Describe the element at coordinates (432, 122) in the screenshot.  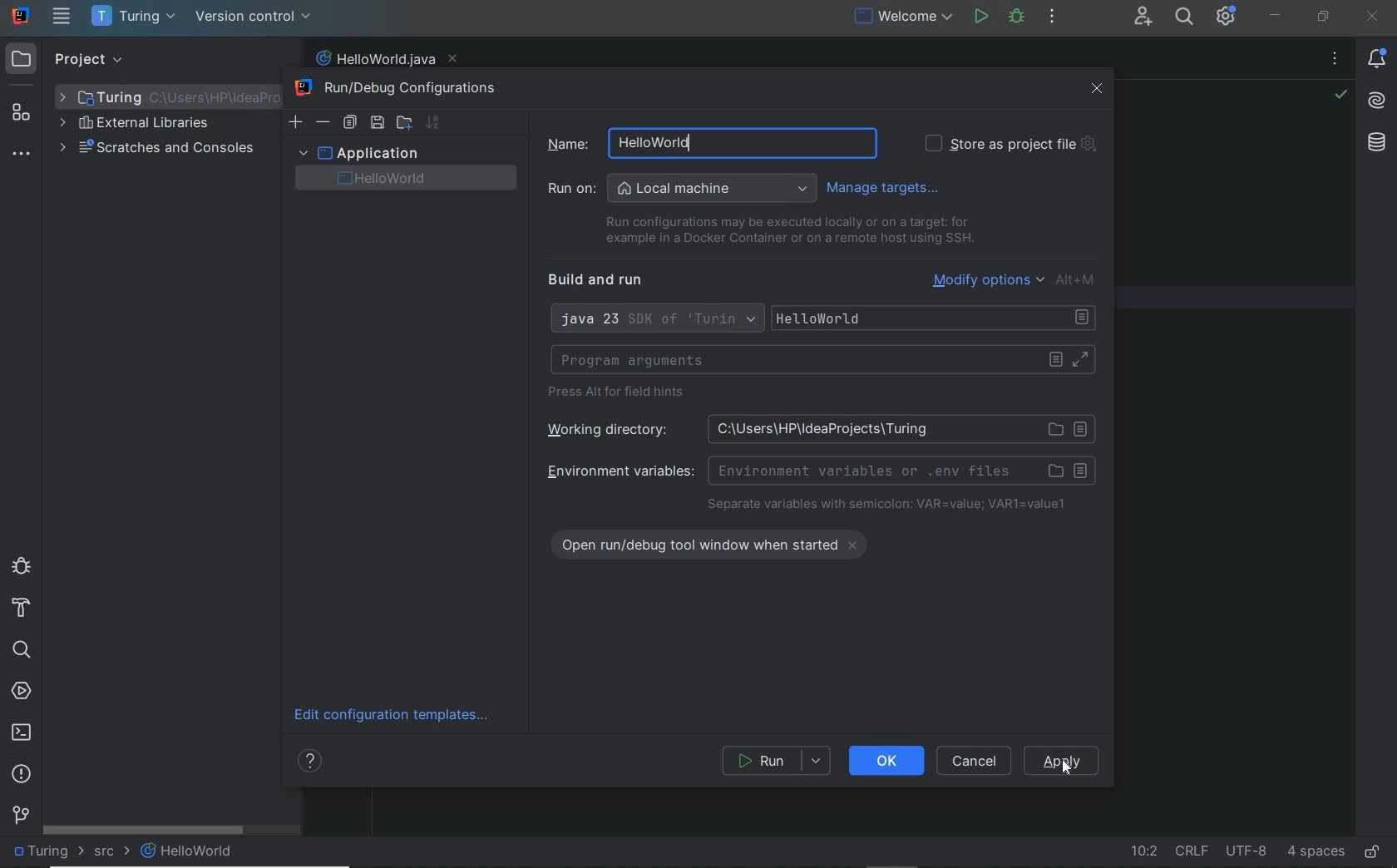
I see `SORT CONFIGURATIONS` at that location.